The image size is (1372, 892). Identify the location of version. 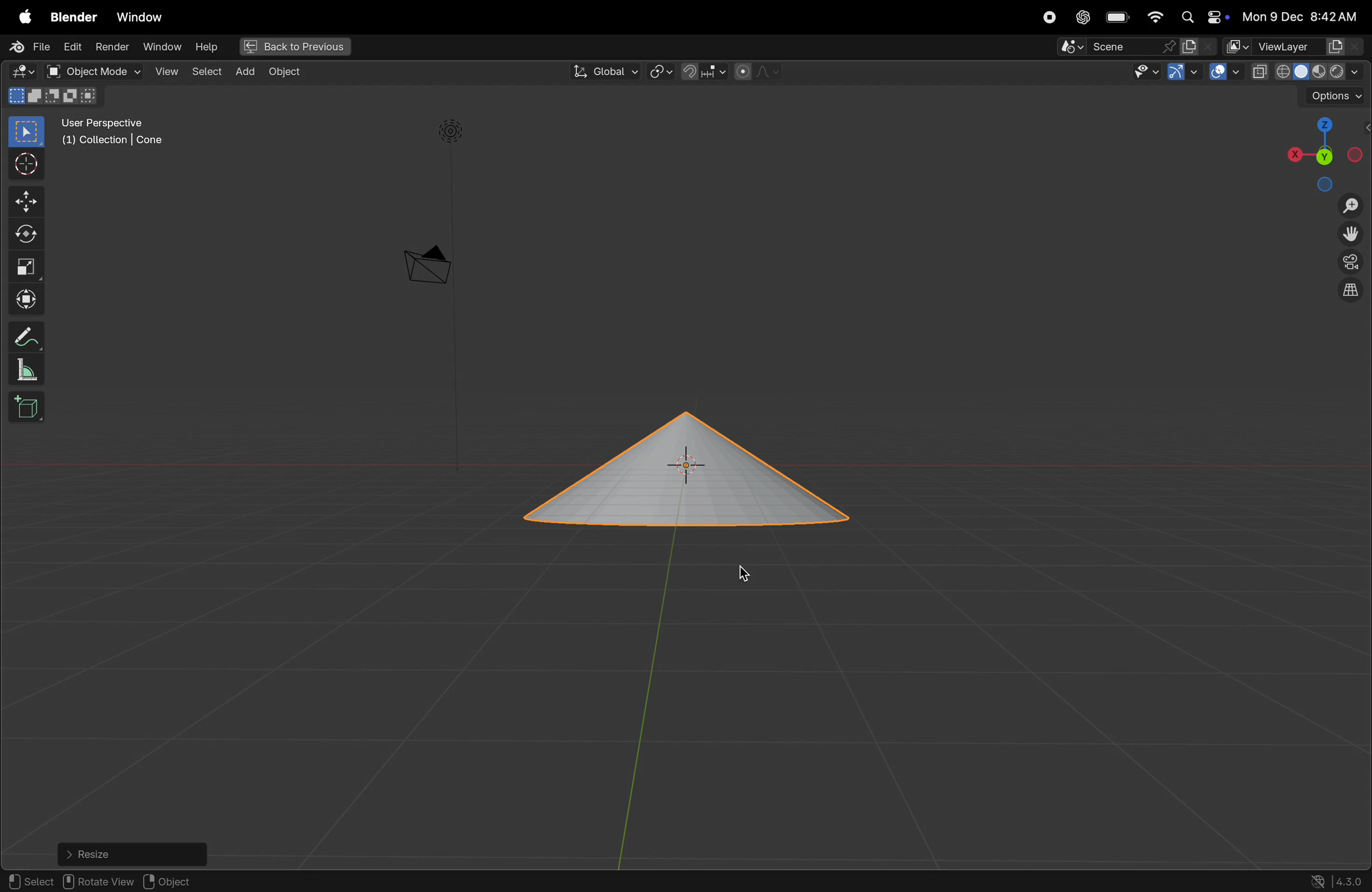
(1335, 880).